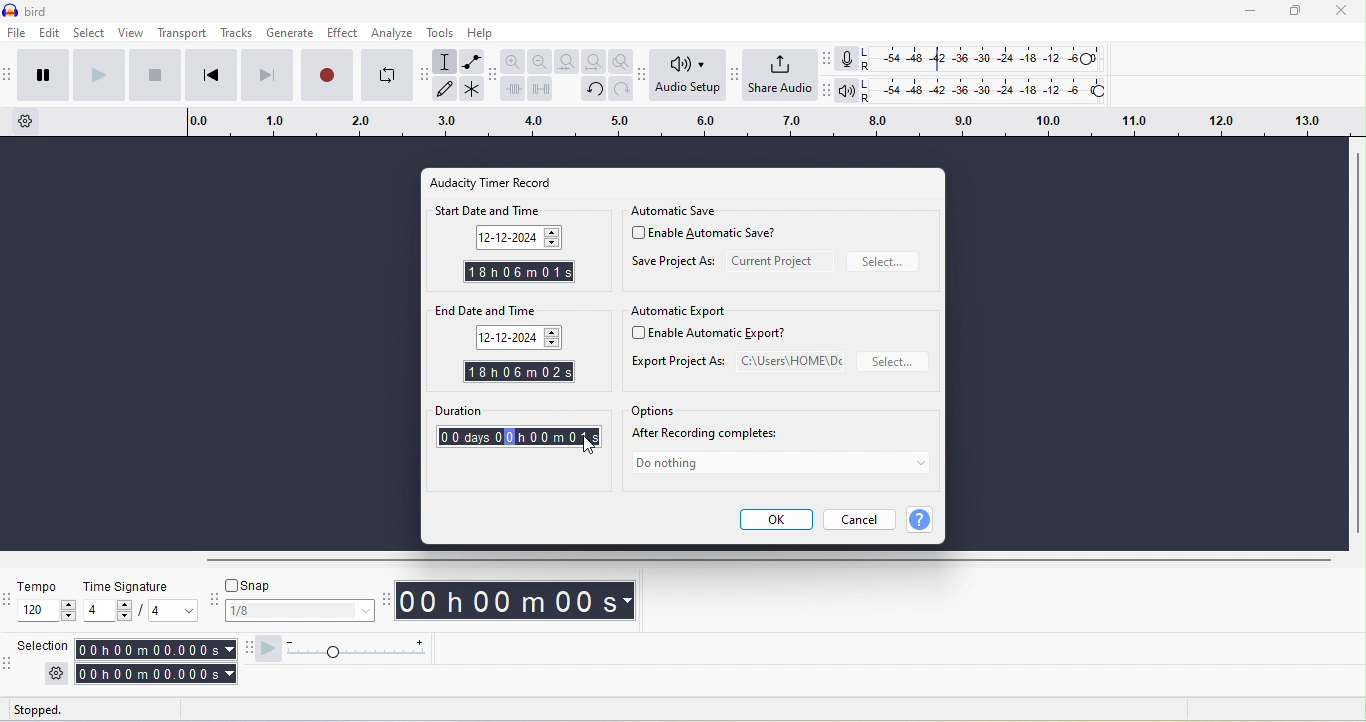 This screenshot has width=1366, height=722. I want to click on title, so click(41, 10).